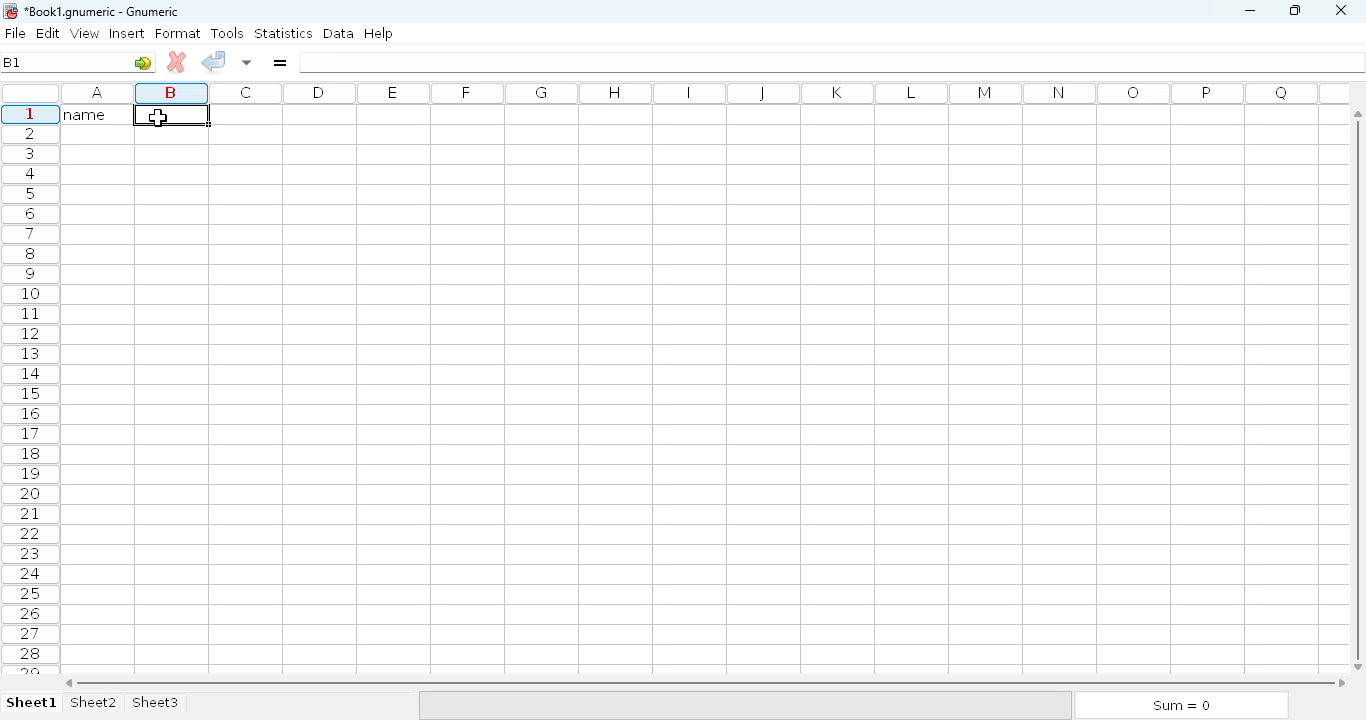  Describe the element at coordinates (143, 62) in the screenshot. I see `go to` at that location.